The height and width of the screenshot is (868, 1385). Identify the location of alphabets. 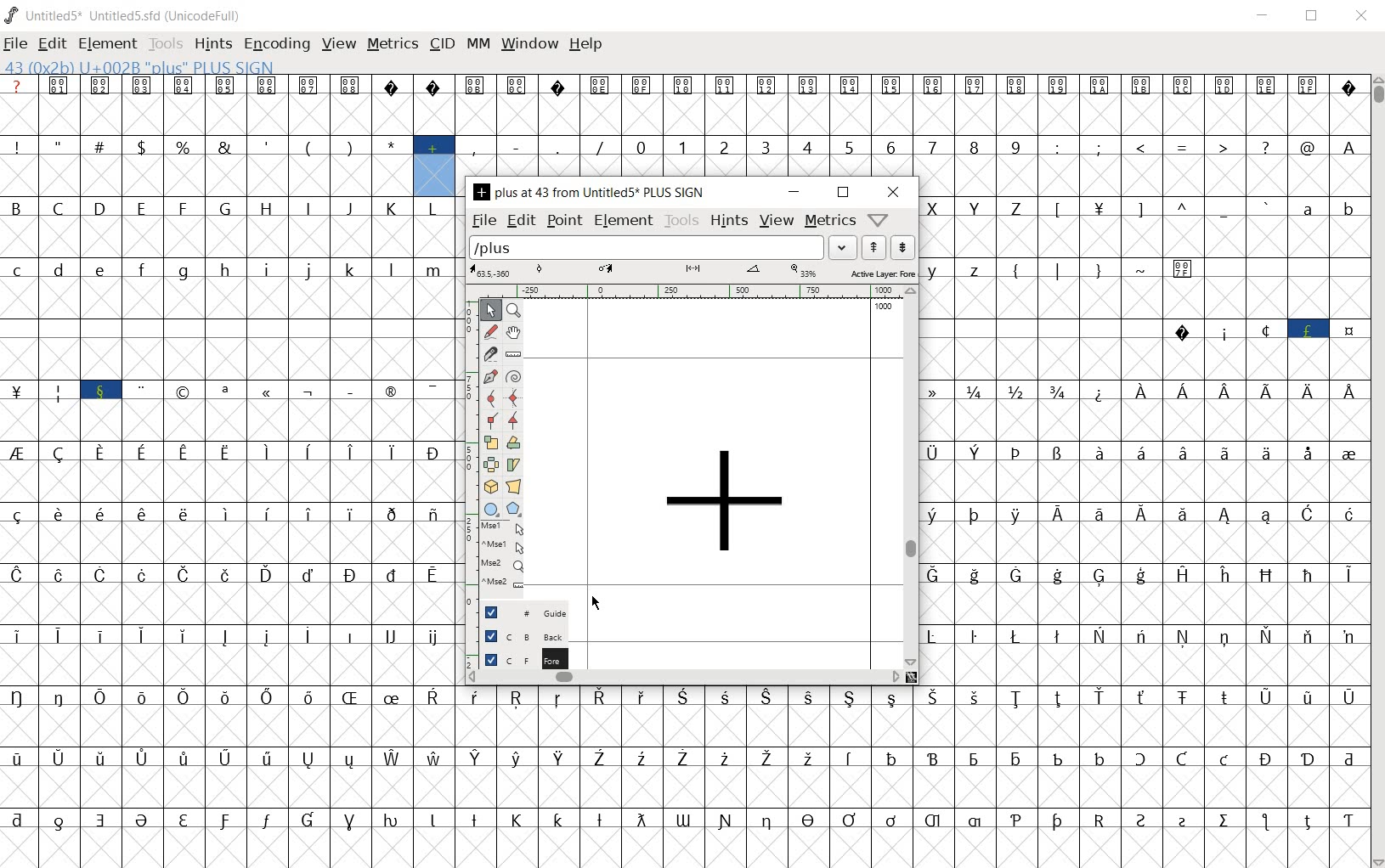
(979, 228).